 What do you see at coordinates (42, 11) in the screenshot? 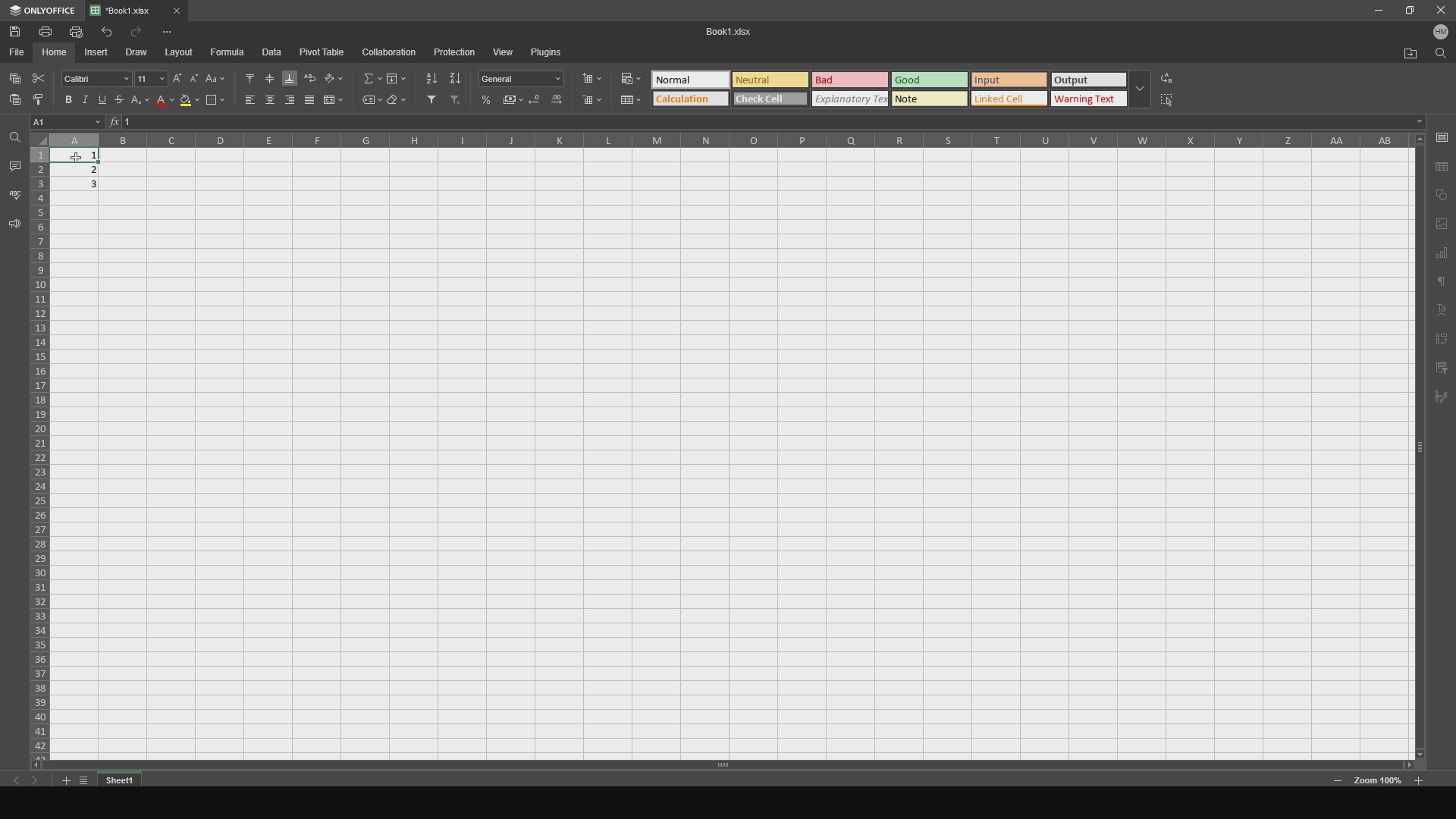
I see `onlyoffice` at bounding box center [42, 11].